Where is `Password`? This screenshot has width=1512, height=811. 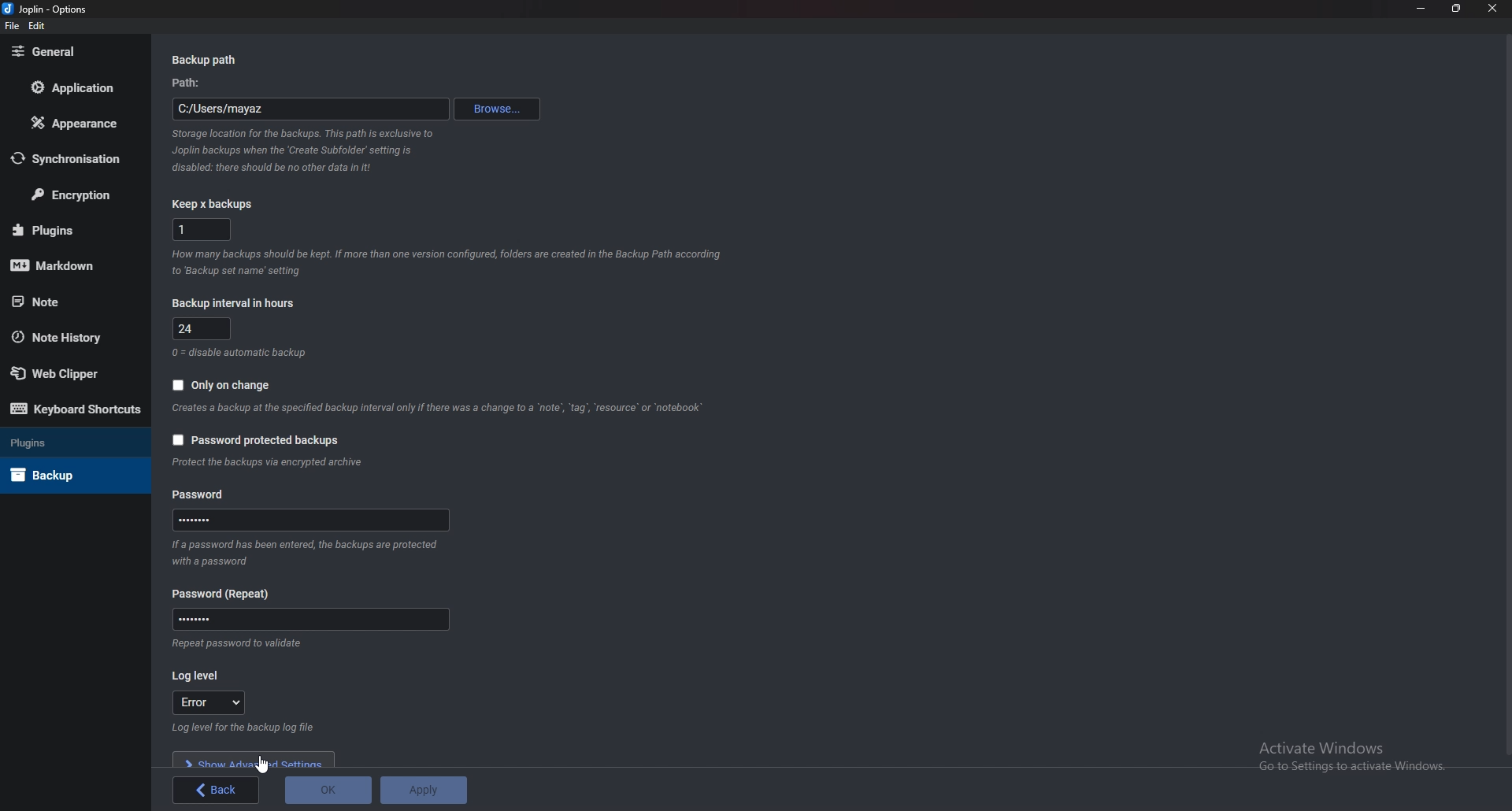 Password is located at coordinates (313, 520).